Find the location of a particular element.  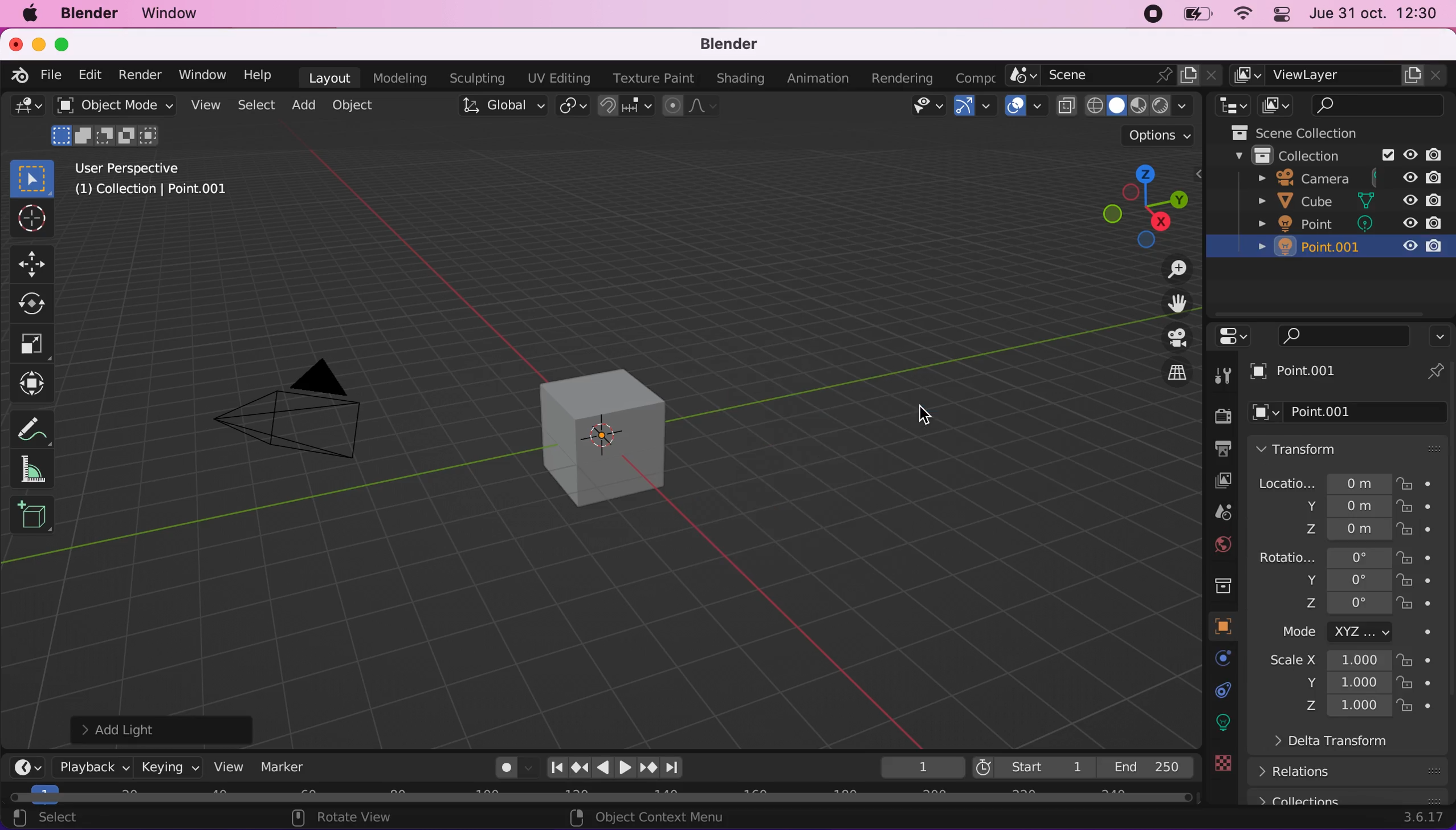

collection is located at coordinates (1221, 583).